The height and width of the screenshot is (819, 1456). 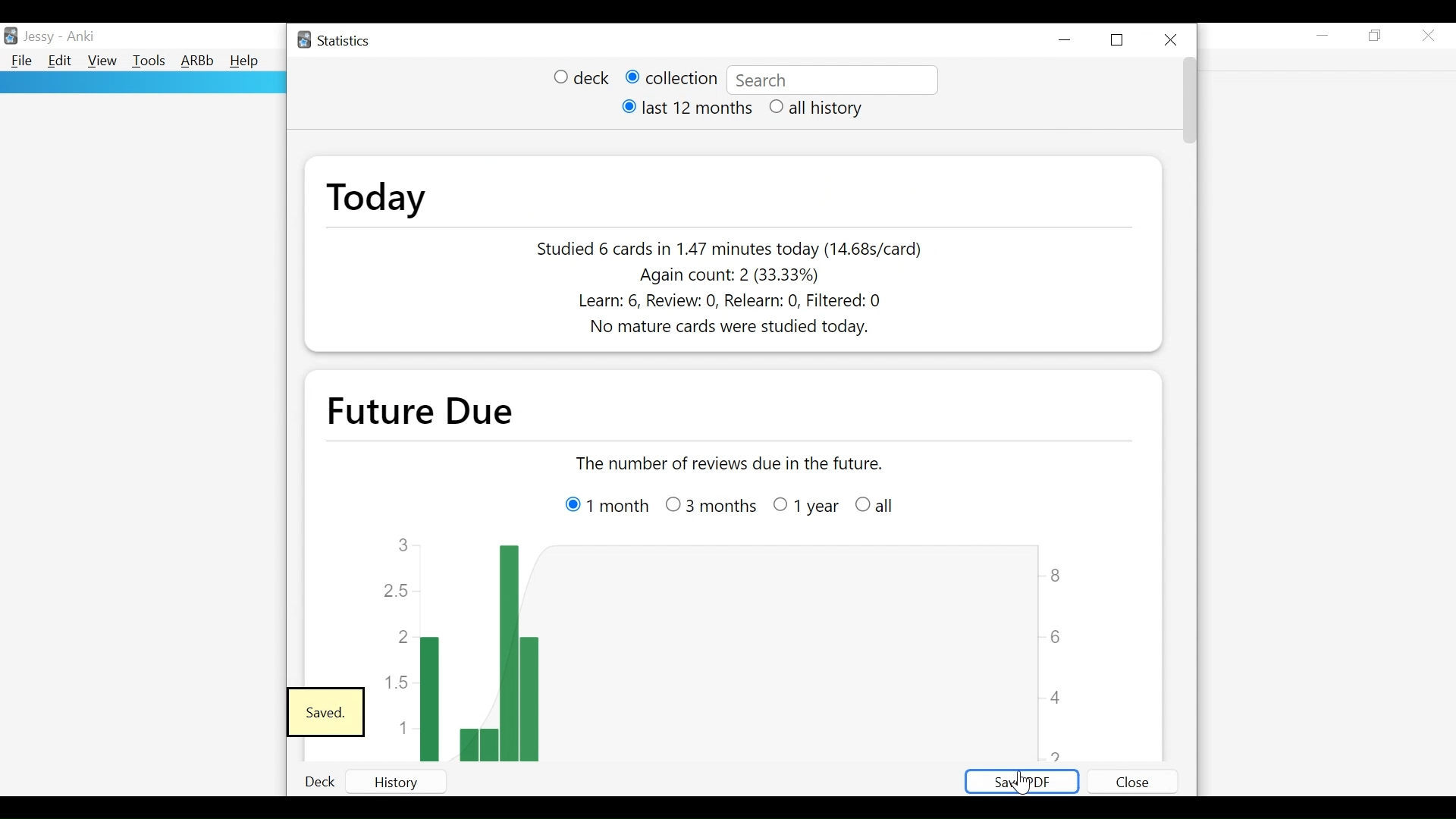 What do you see at coordinates (437, 411) in the screenshot?
I see `future due` at bounding box center [437, 411].